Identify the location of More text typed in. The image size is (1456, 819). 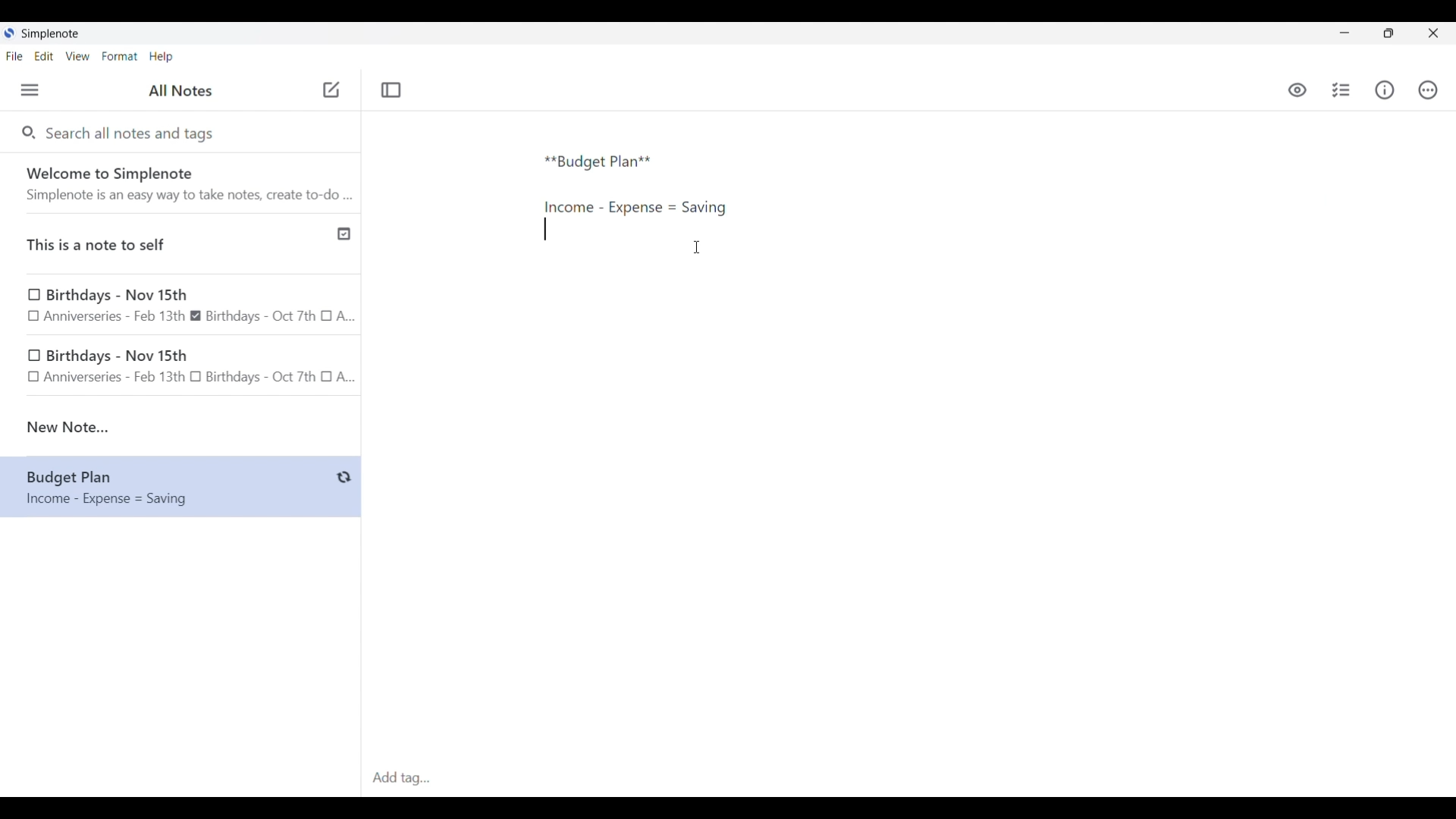
(634, 208).